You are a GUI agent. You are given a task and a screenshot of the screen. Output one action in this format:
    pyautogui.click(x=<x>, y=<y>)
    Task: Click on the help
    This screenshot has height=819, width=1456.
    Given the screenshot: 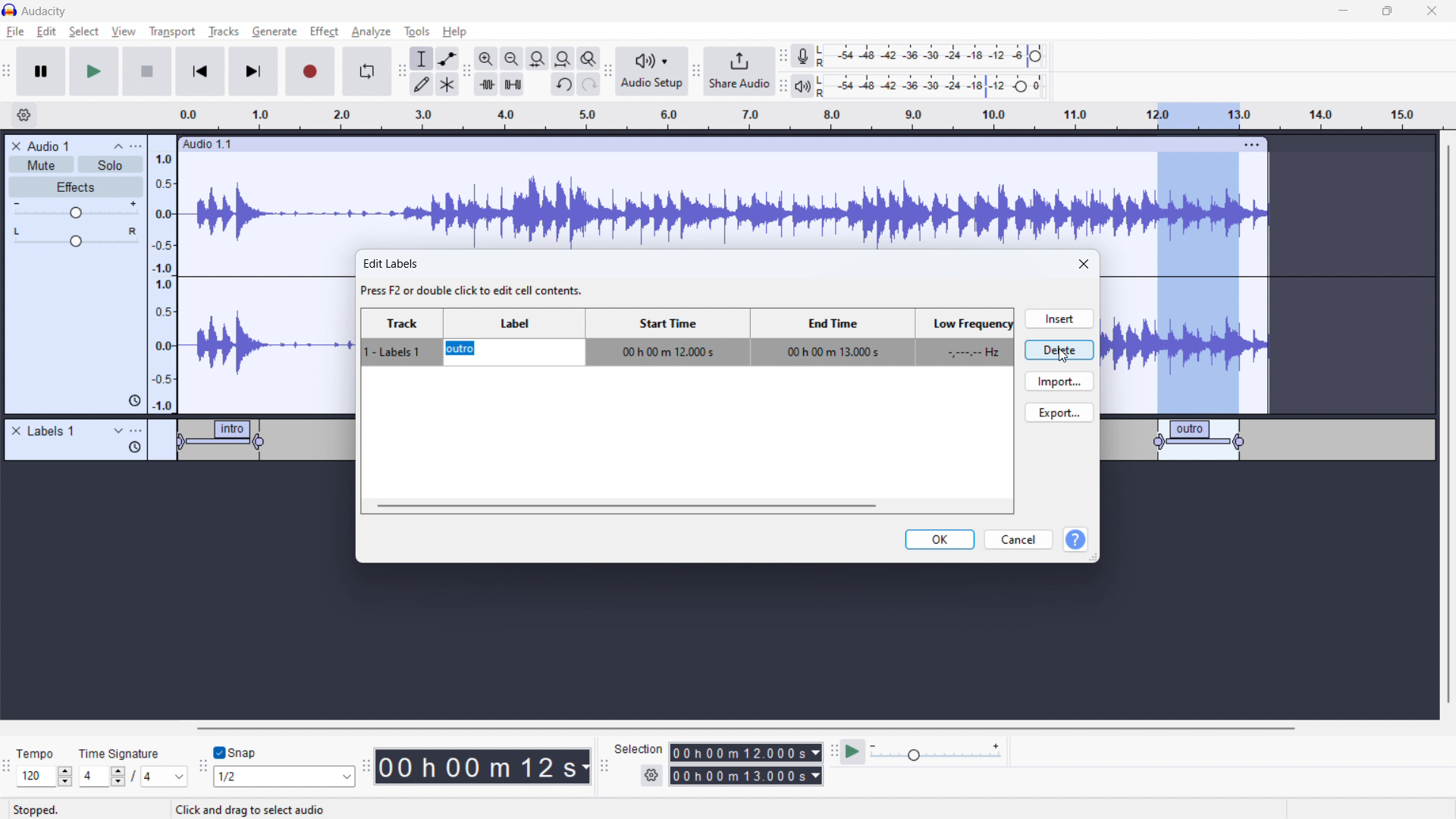 What is the action you would take?
    pyautogui.click(x=457, y=32)
    